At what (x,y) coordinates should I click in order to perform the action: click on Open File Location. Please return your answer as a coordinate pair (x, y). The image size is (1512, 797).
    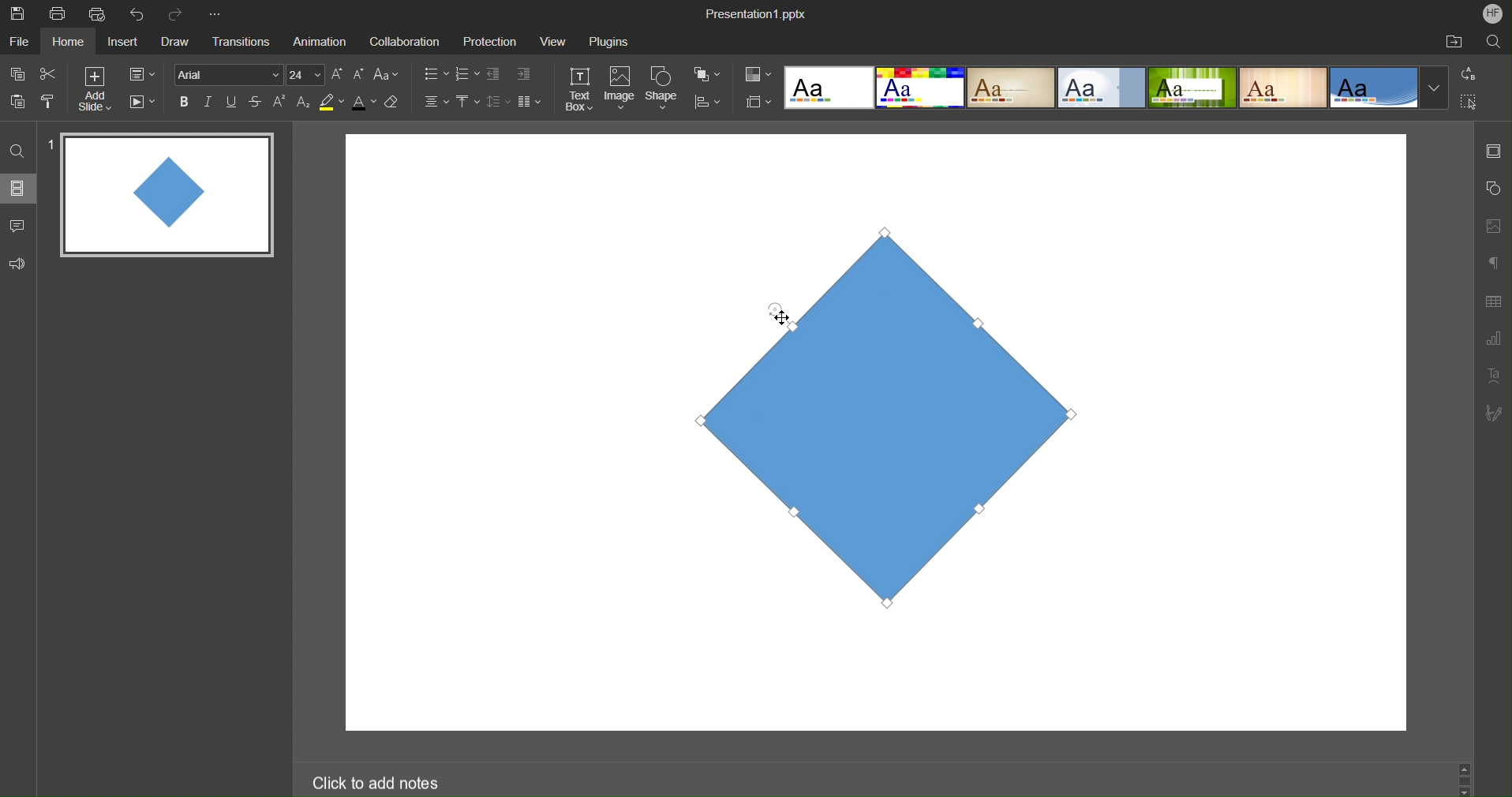
    Looking at the image, I should click on (1449, 41).